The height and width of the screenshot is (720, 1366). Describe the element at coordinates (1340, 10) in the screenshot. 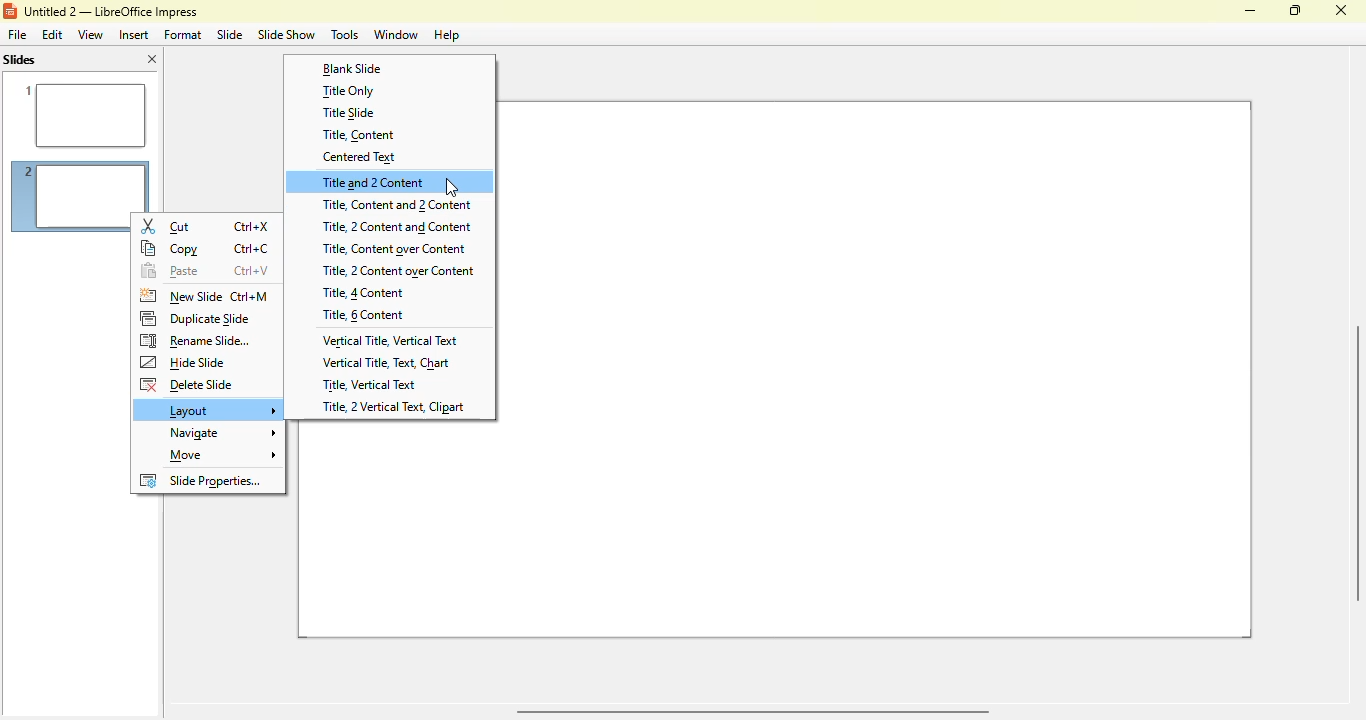

I see `close` at that location.